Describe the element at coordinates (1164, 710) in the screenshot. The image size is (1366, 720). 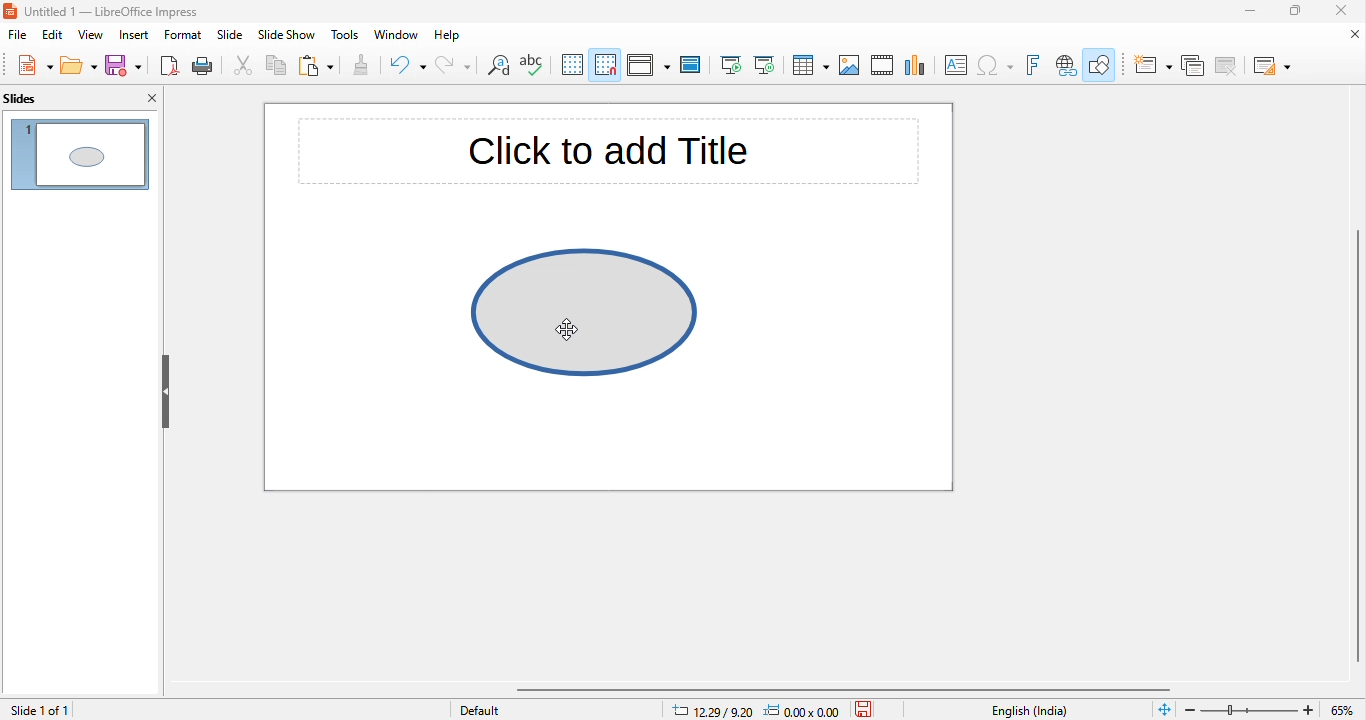
I see `fit slide to fit window` at that location.